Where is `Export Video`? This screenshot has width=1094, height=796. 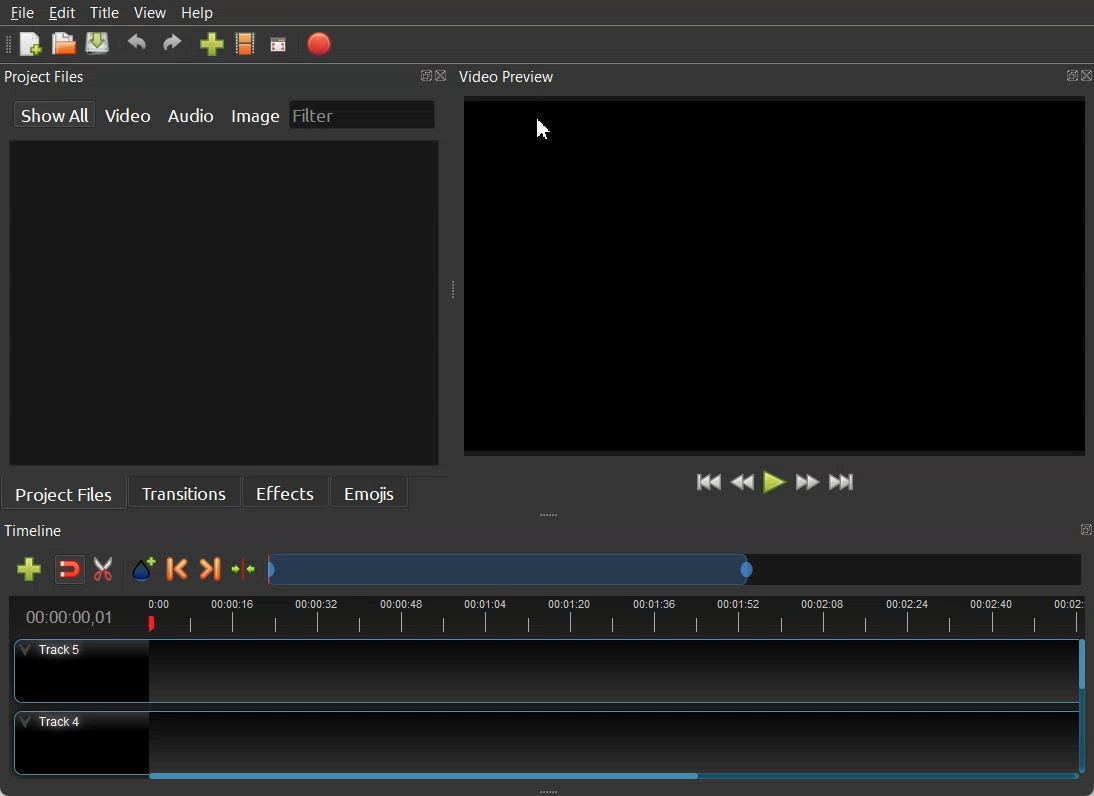 Export Video is located at coordinates (320, 43).